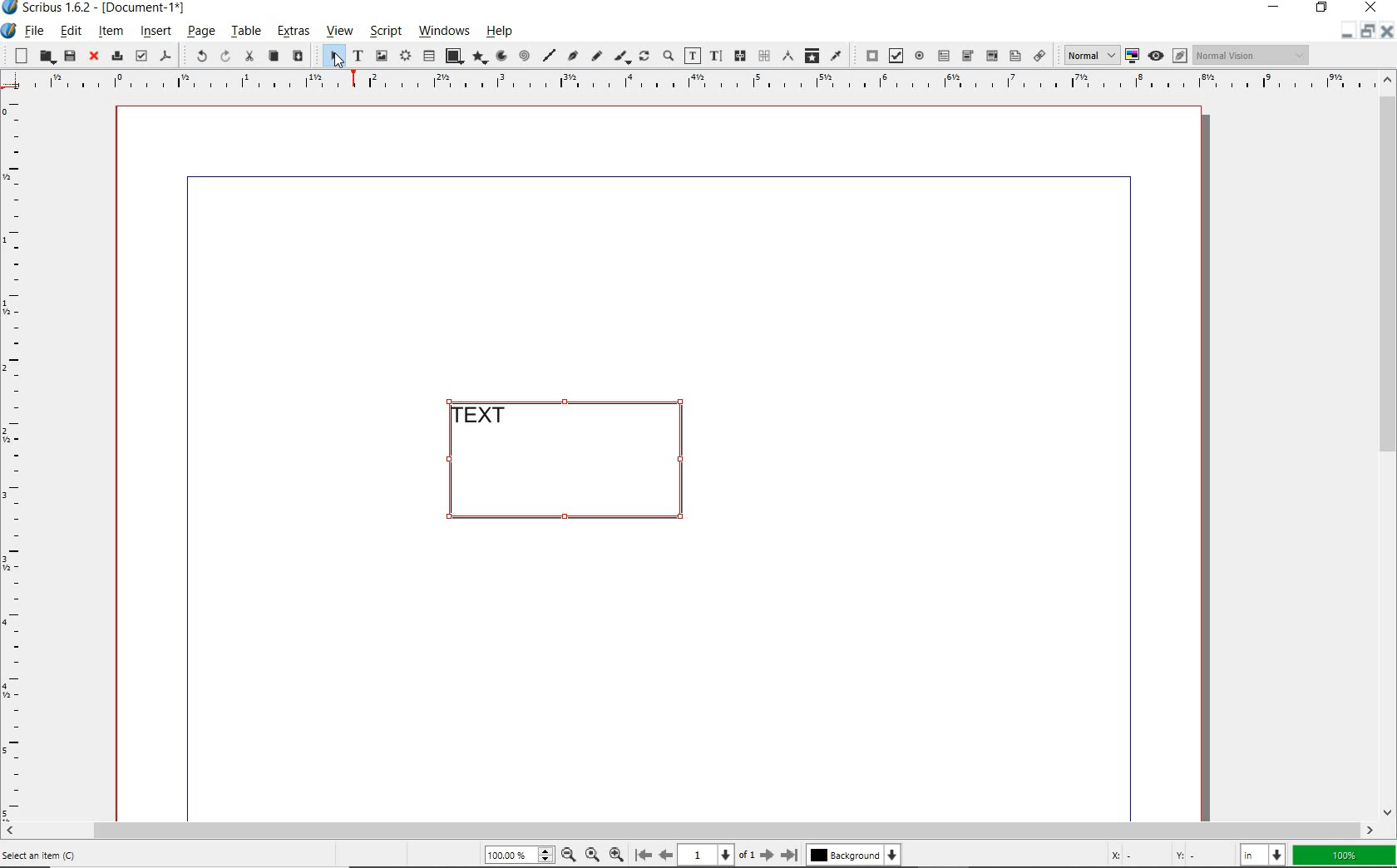 The width and height of the screenshot is (1397, 868). Describe the element at coordinates (355, 56) in the screenshot. I see `text frame` at that location.